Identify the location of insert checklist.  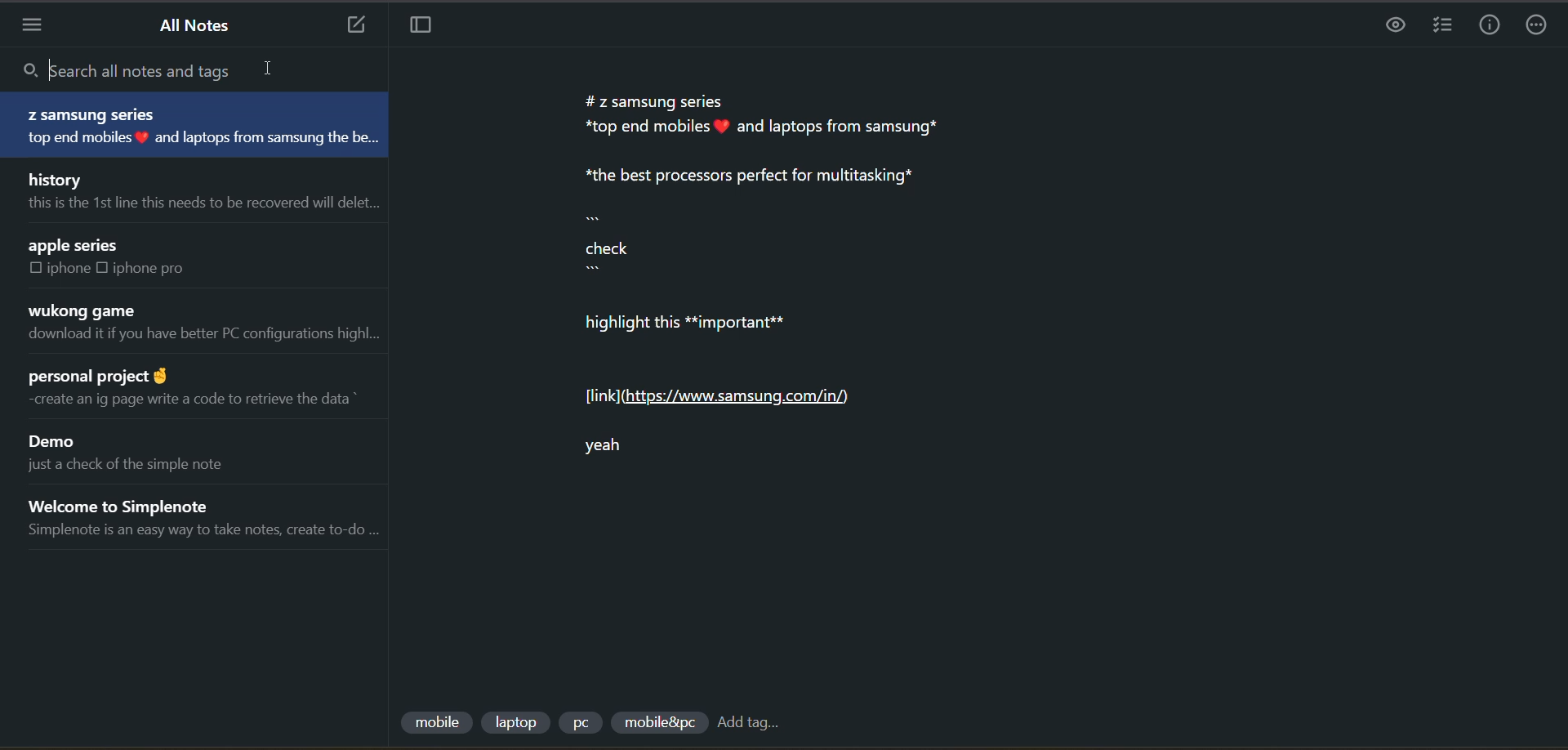
(1438, 26).